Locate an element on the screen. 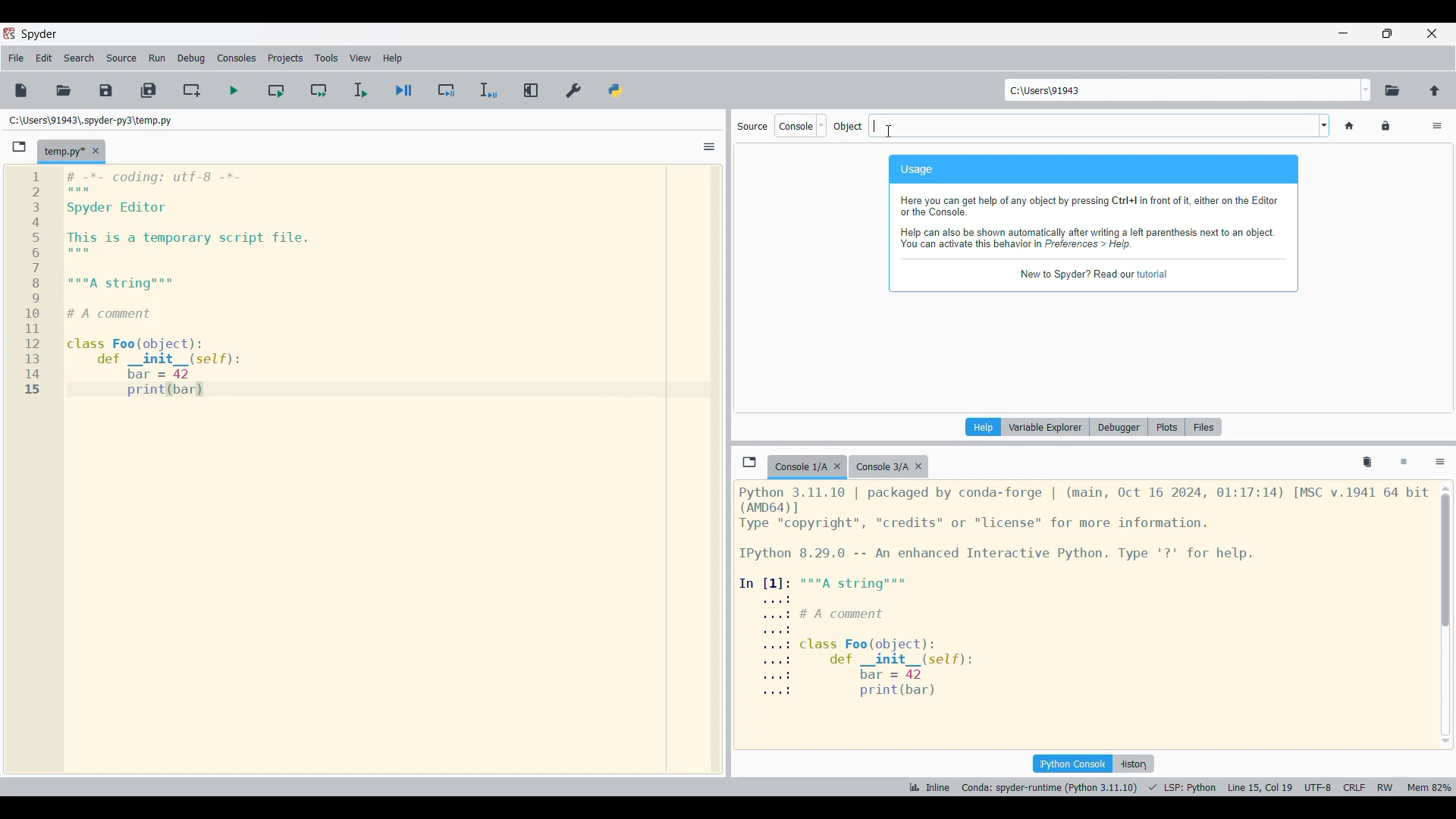 Image resolution: width=1456 pixels, height=819 pixels. Details of current console is located at coordinates (1084, 591).